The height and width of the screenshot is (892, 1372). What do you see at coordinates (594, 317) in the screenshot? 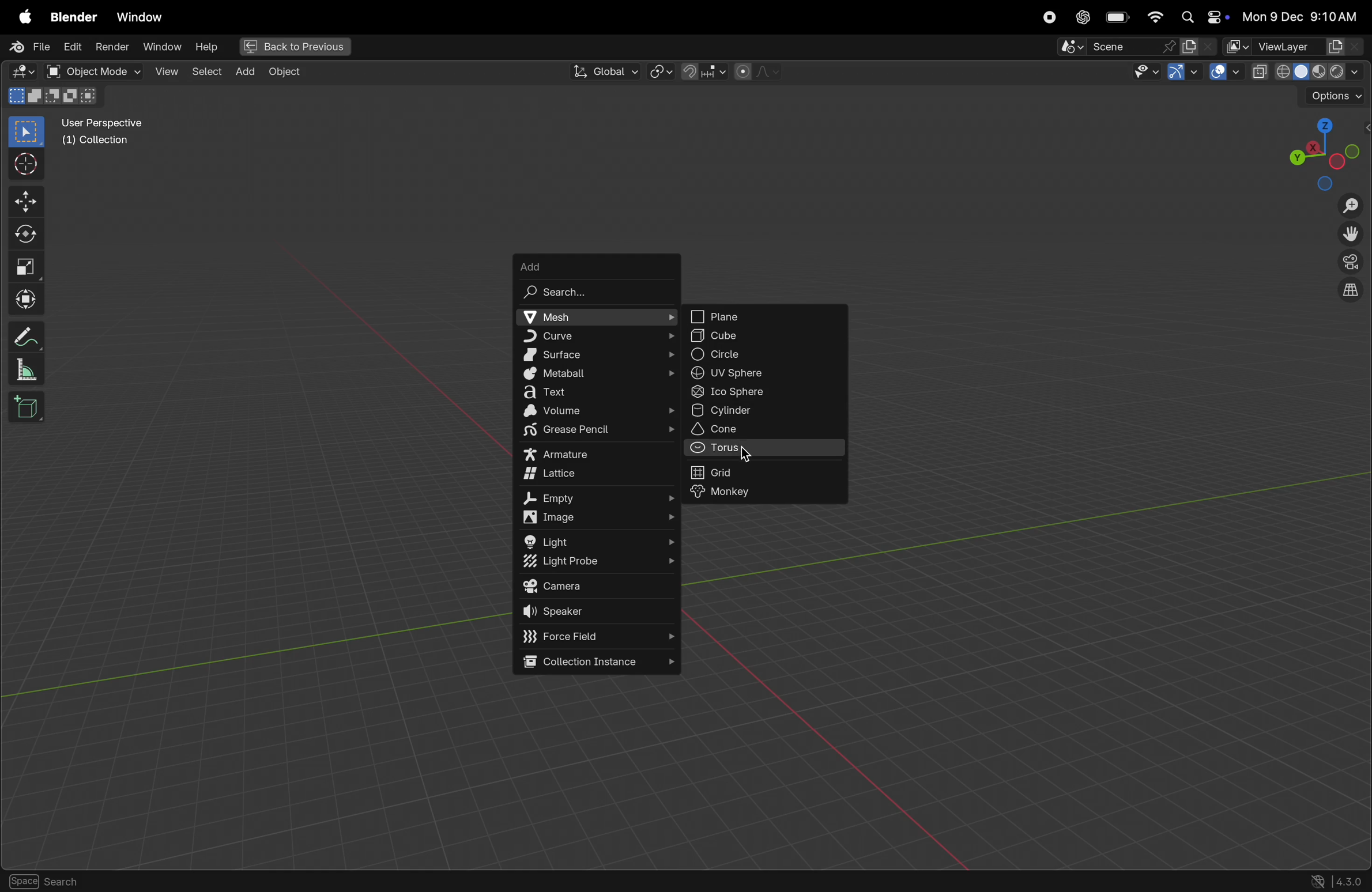
I see `mesh` at bounding box center [594, 317].